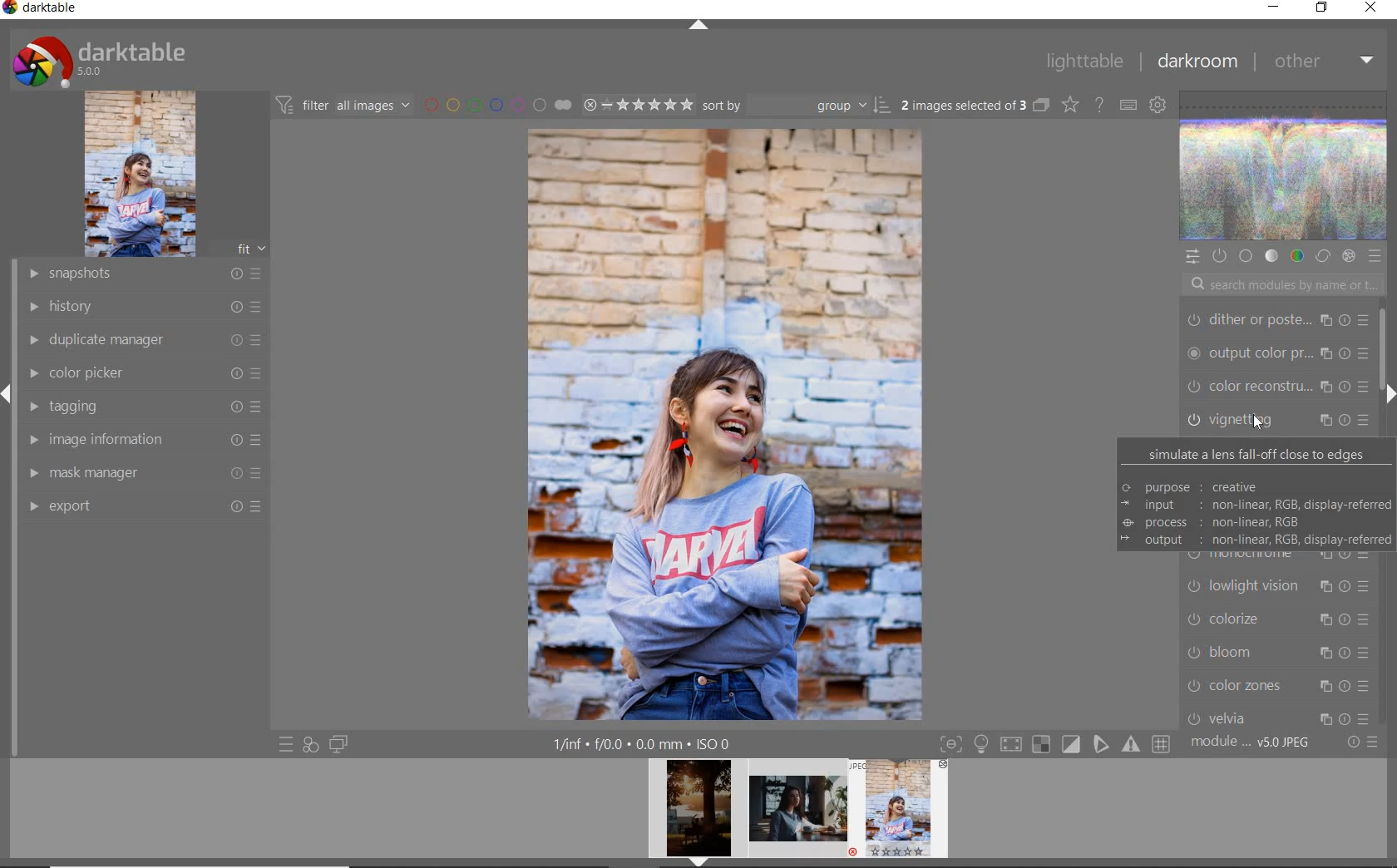 The height and width of the screenshot is (868, 1397). What do you see at coordinates (1272, 257) in the screenshot?
I see `tone` at bounding box center [1272, 257].